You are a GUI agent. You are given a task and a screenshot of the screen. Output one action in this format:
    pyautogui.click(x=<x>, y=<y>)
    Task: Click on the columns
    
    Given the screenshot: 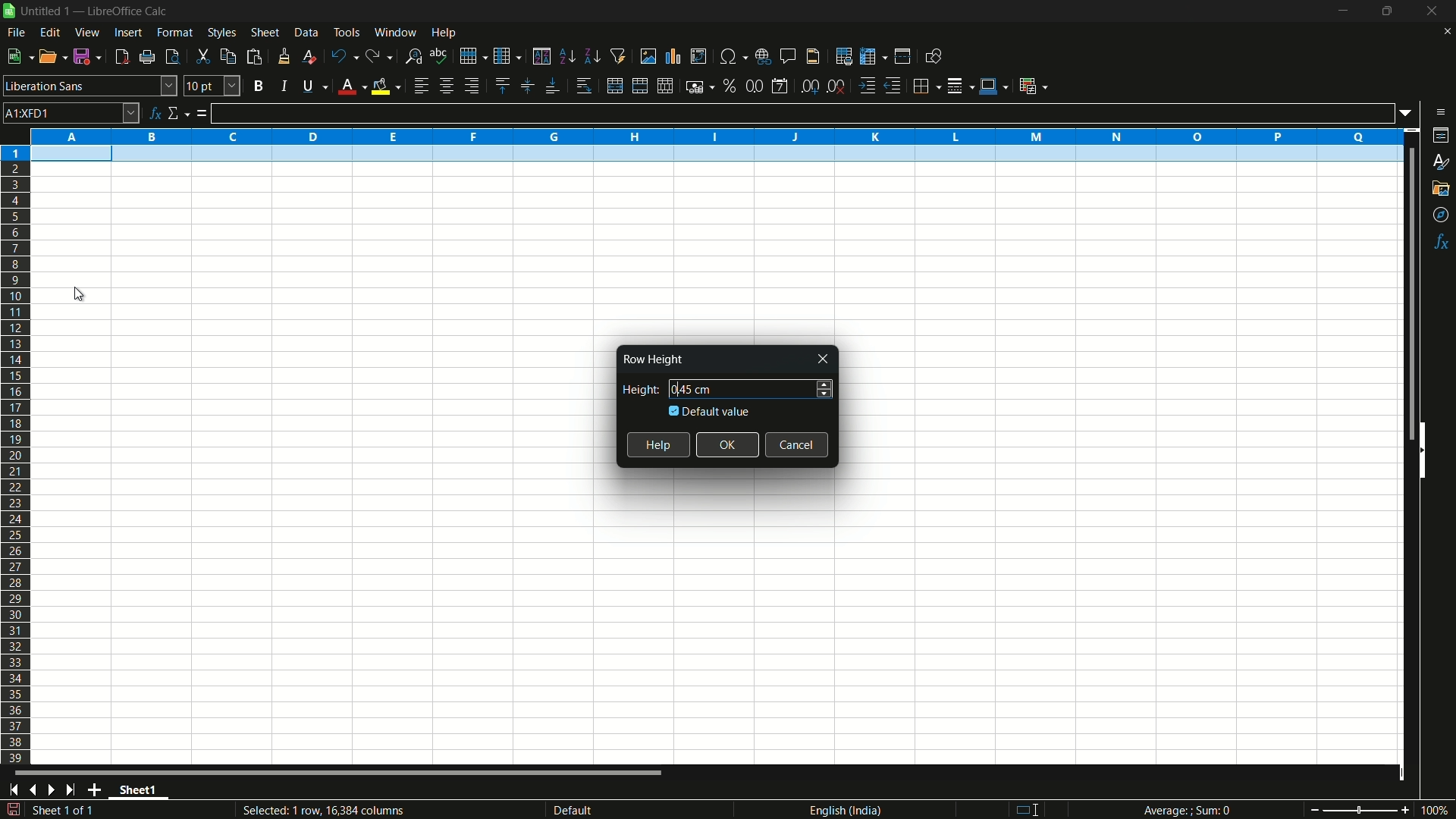 What is the action you would take?
    pyautogui.click(x=716, y=135)
    